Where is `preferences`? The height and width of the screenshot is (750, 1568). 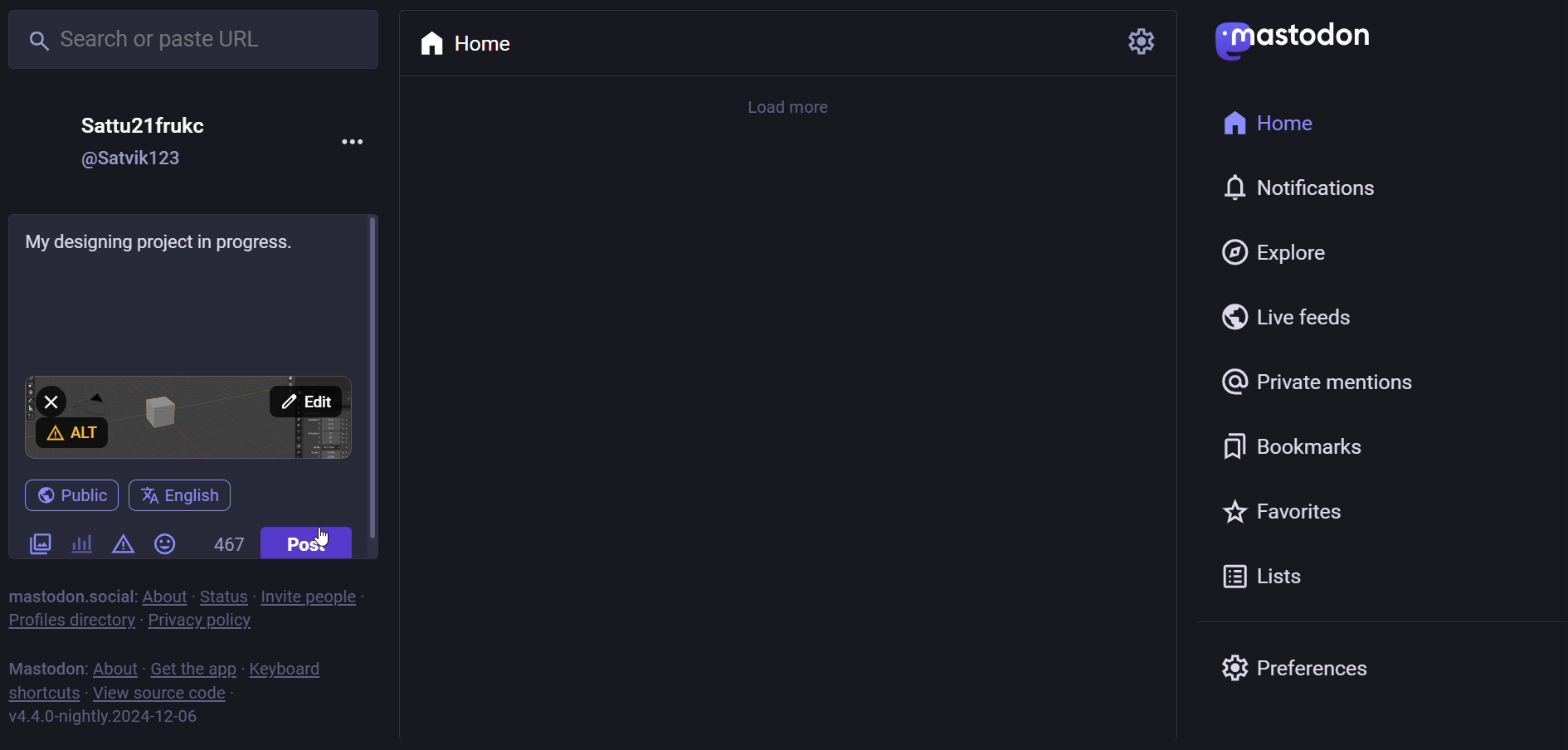 preferences is located at coordinates (1307, 665).